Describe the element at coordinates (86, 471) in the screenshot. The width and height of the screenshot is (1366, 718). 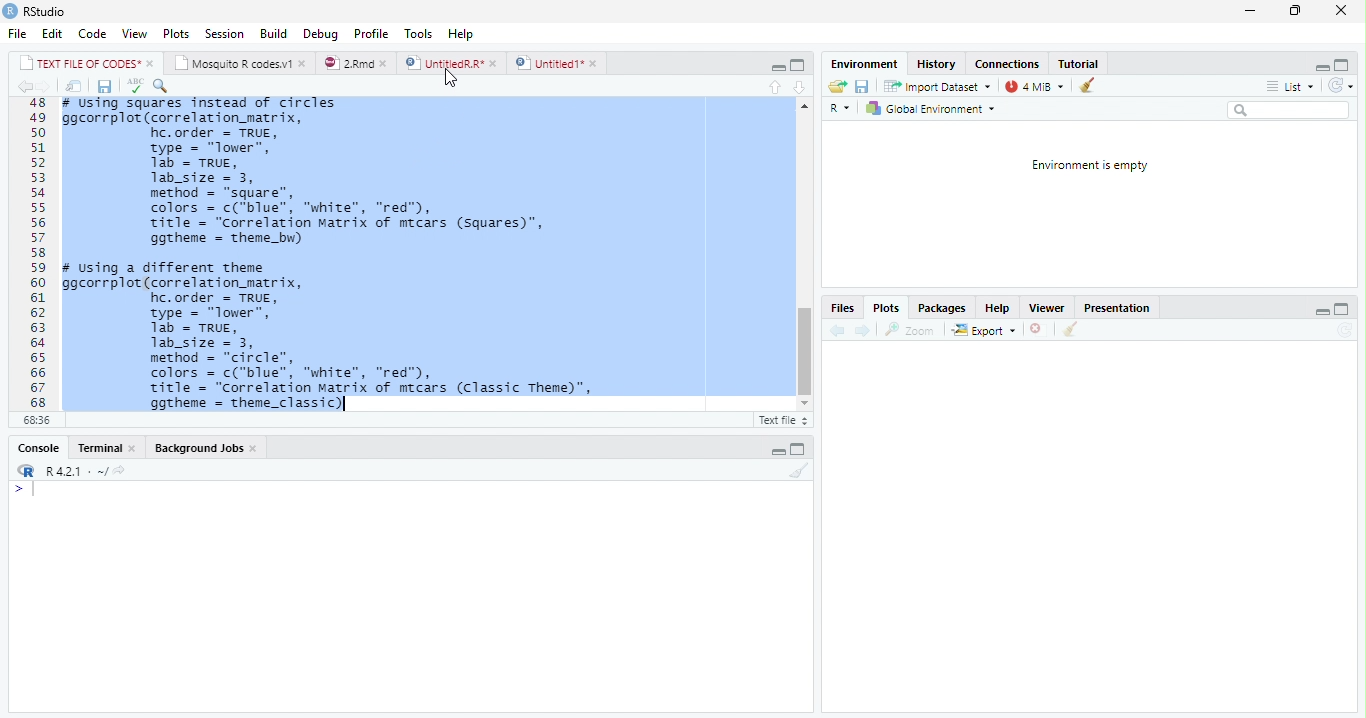
I see `R421 - ~/` at that location.